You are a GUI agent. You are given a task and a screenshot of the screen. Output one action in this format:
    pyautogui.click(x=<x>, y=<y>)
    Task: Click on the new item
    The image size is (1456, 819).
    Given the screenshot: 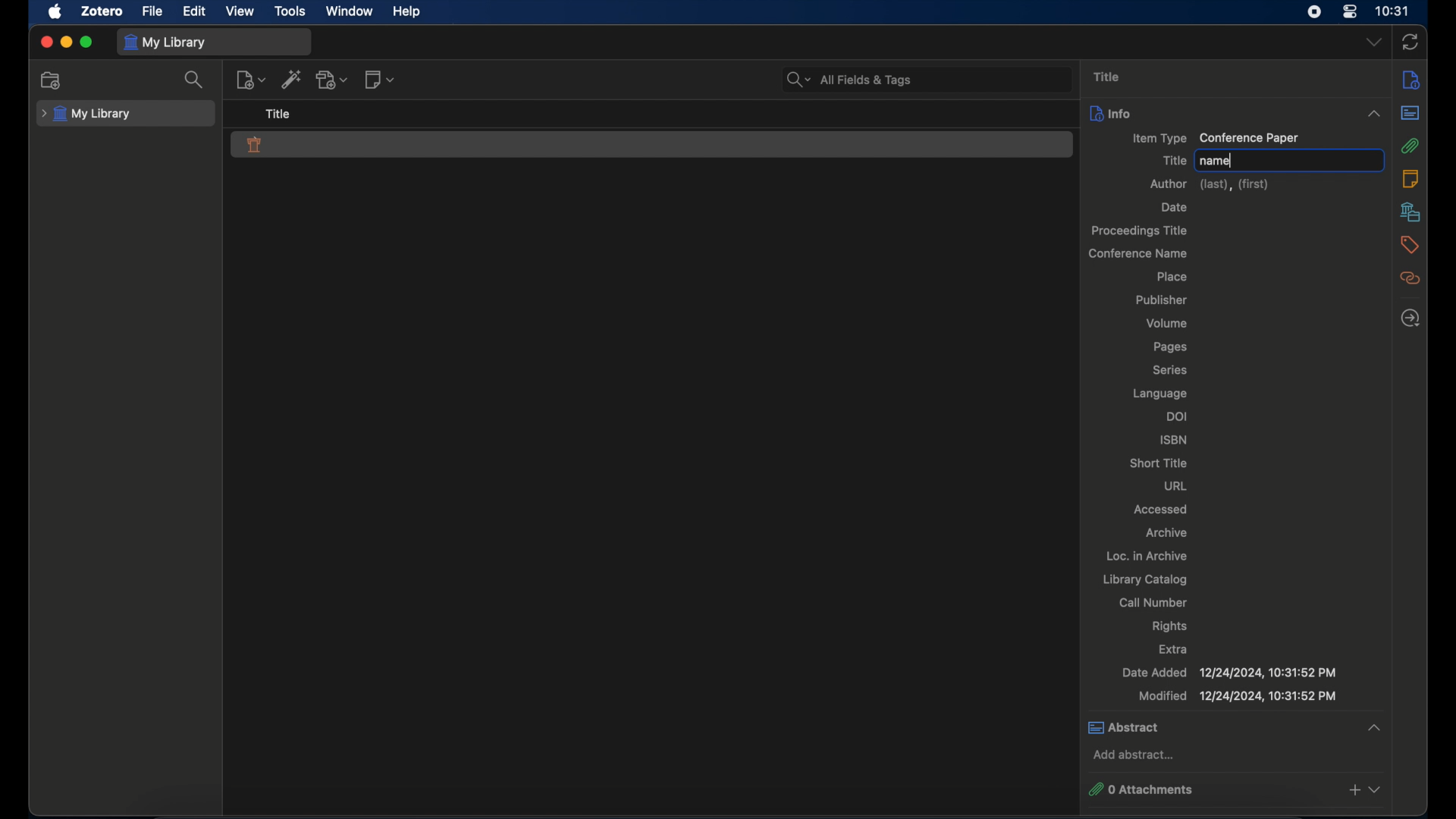 What is the action you would take?
    pyautogui.click(x=251, y=79)
    